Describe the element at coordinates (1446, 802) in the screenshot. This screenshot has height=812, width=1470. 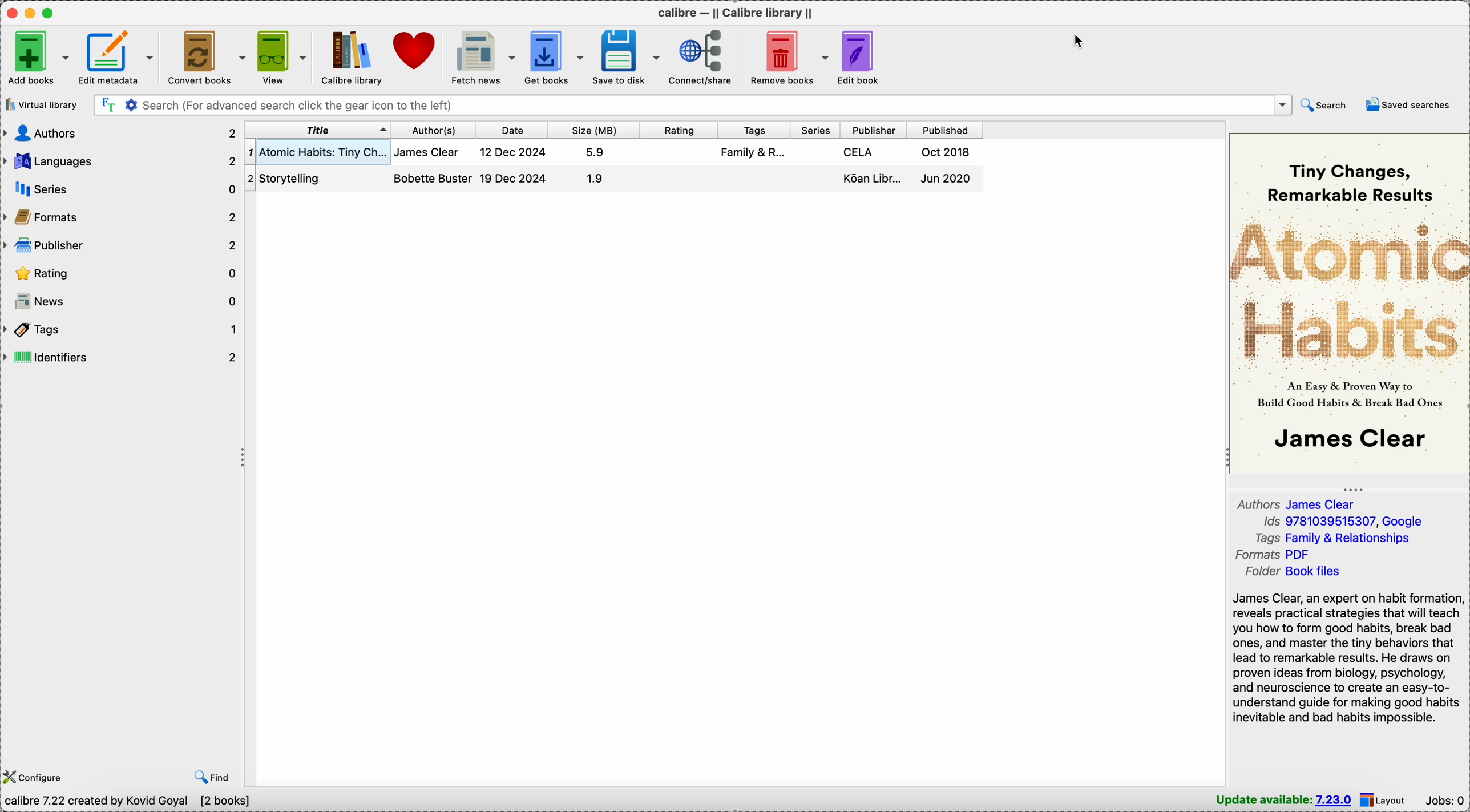
I see `jobs: 0` at that location.